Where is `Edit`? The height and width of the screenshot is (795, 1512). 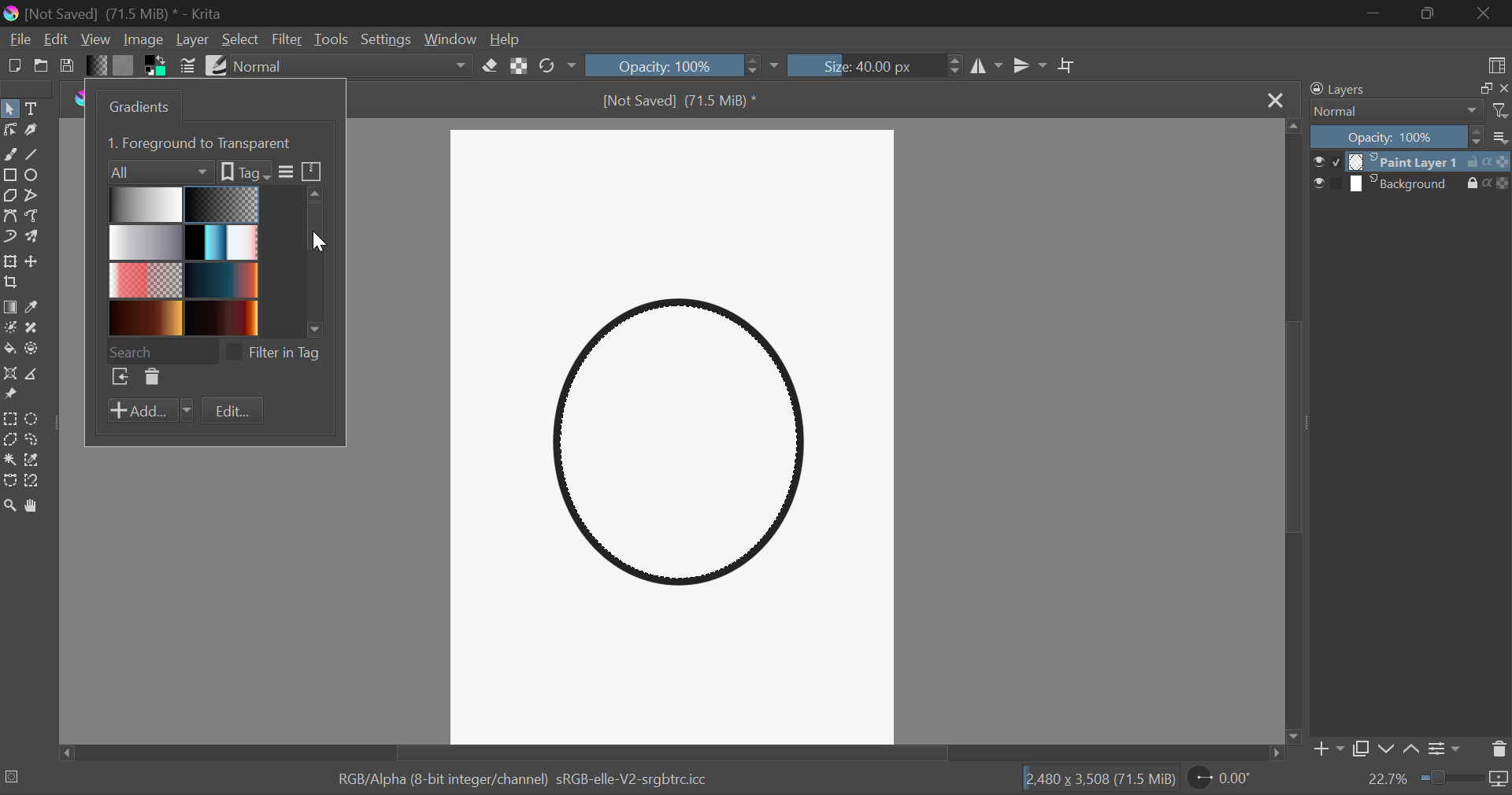
Edit is located at coordinates (232, 409).